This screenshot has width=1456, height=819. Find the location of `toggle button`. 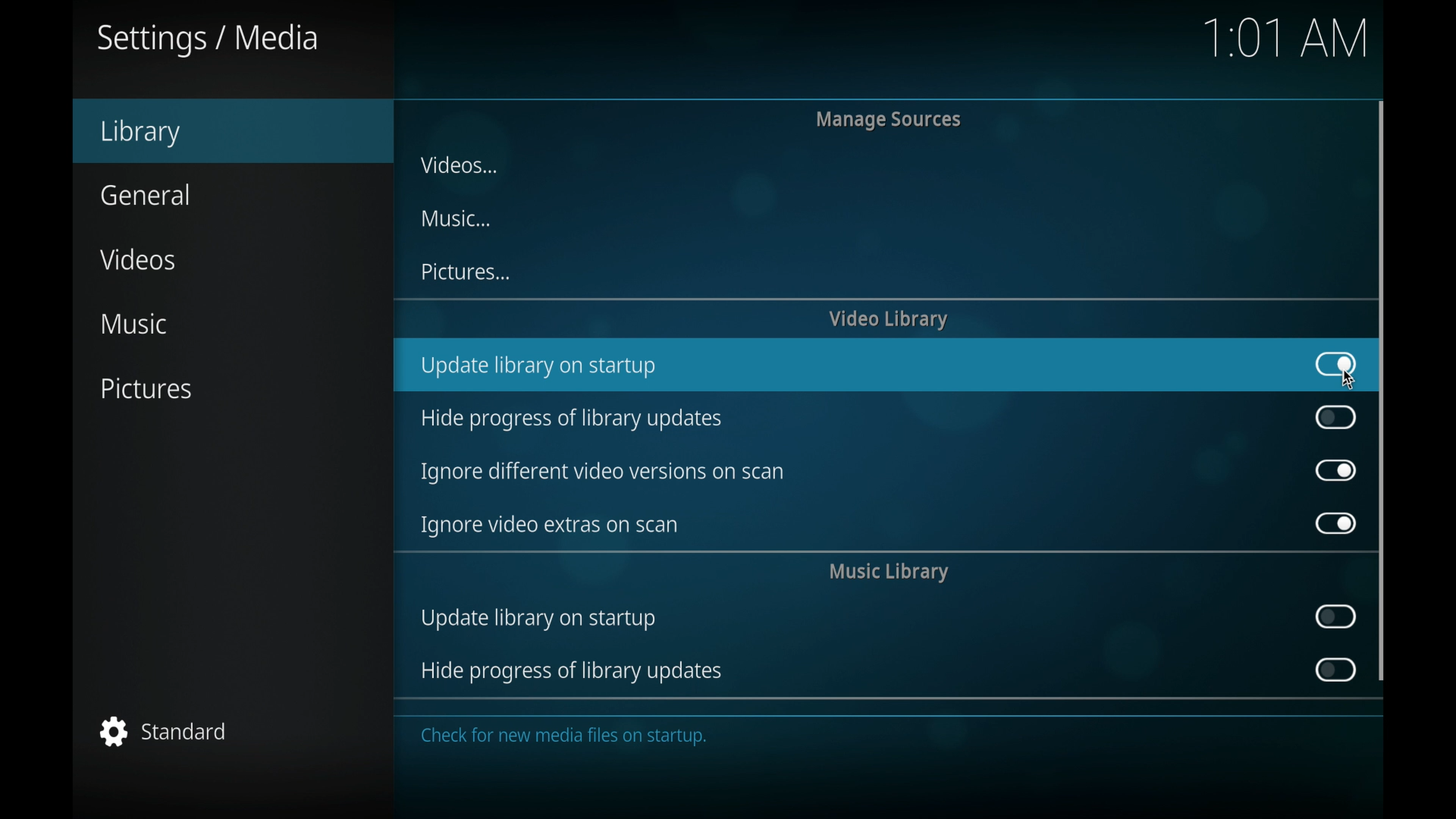

toggle button is located at coordinates (1336, 617).